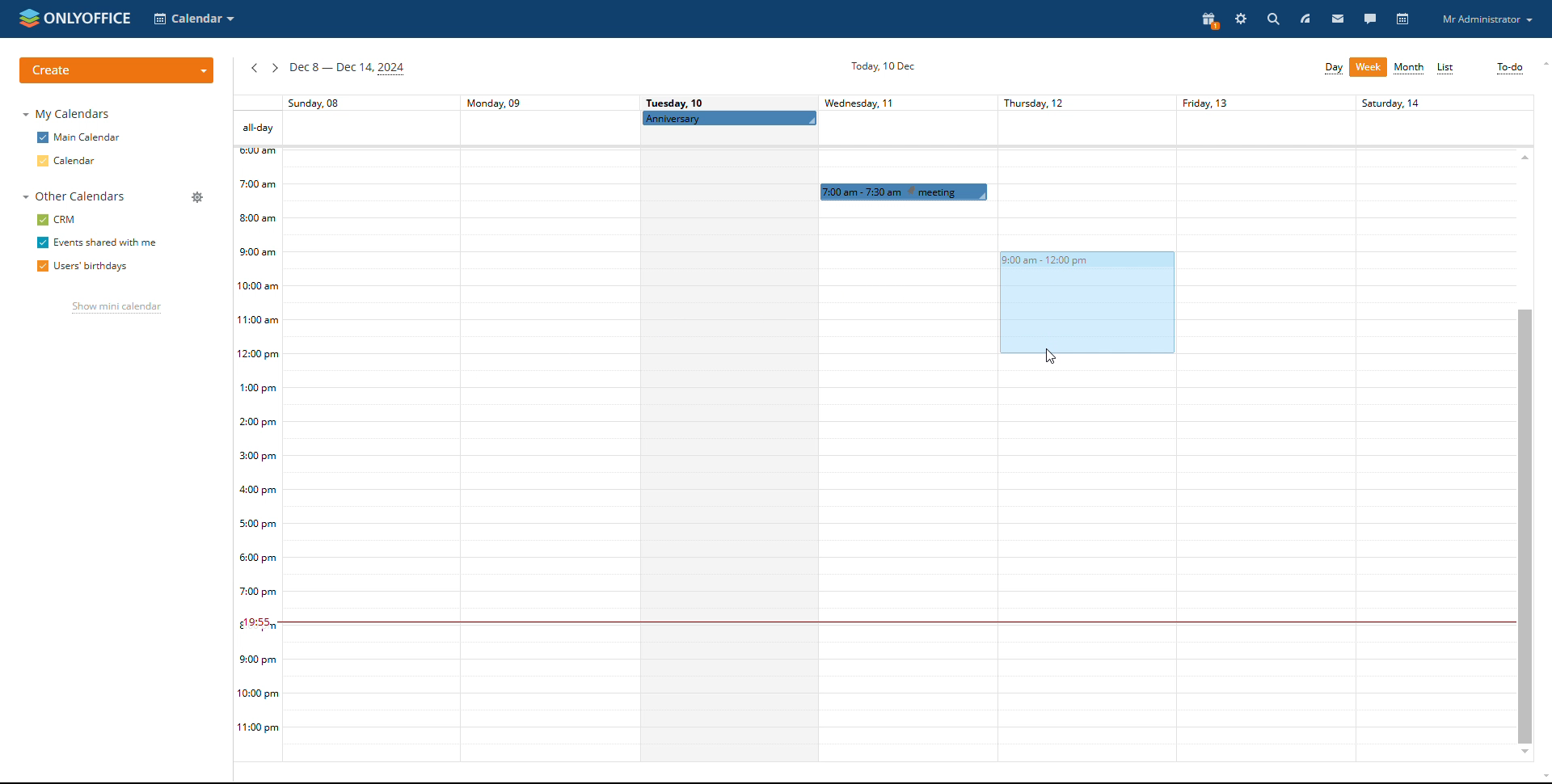  Describe the element at coordinates (1525, 753) in the screenshot. I see `scroll down` at that location.